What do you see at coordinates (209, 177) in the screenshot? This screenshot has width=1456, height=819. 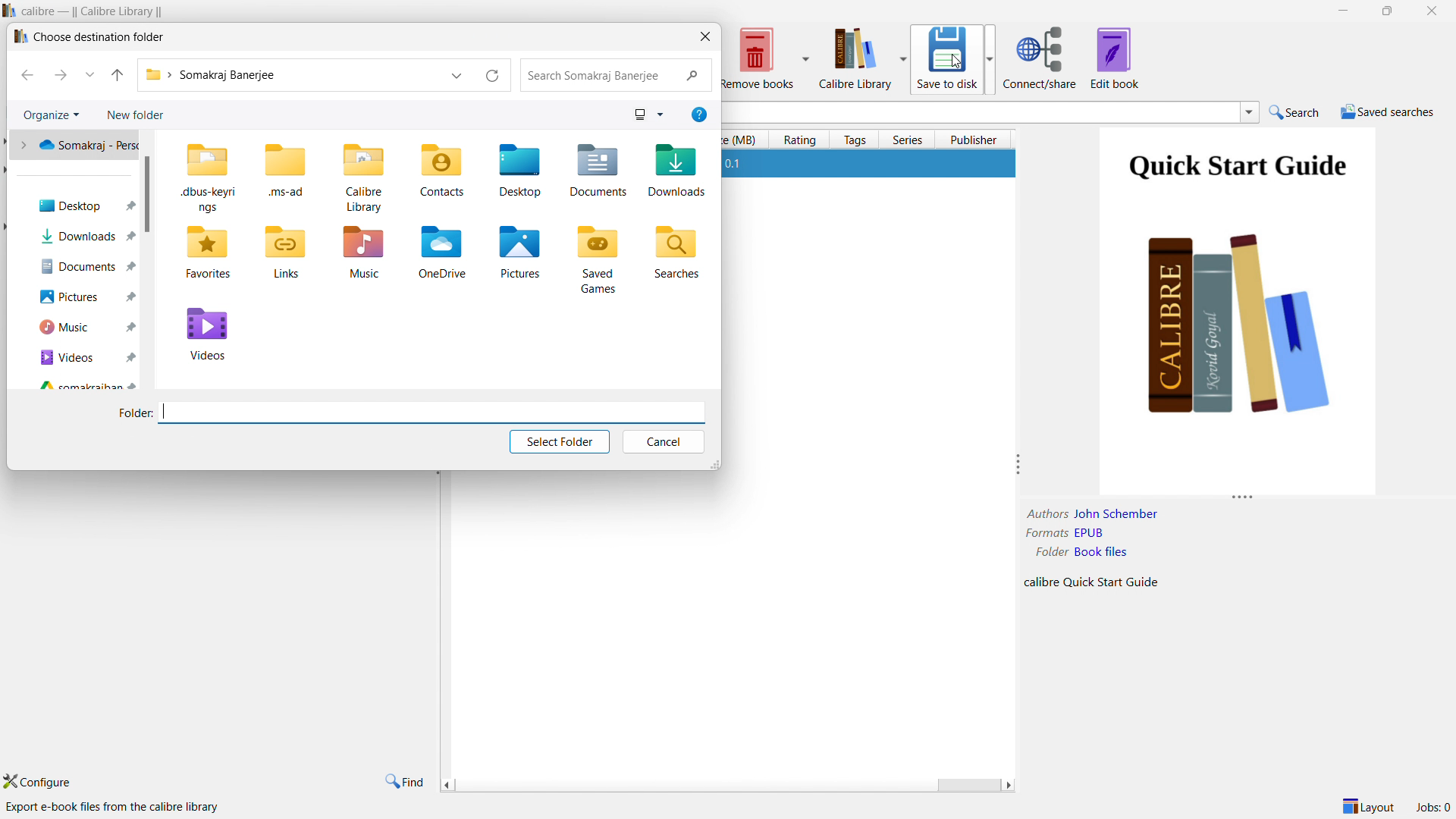 I see `.dbus-keyrings` at bounding box center [209, 177].